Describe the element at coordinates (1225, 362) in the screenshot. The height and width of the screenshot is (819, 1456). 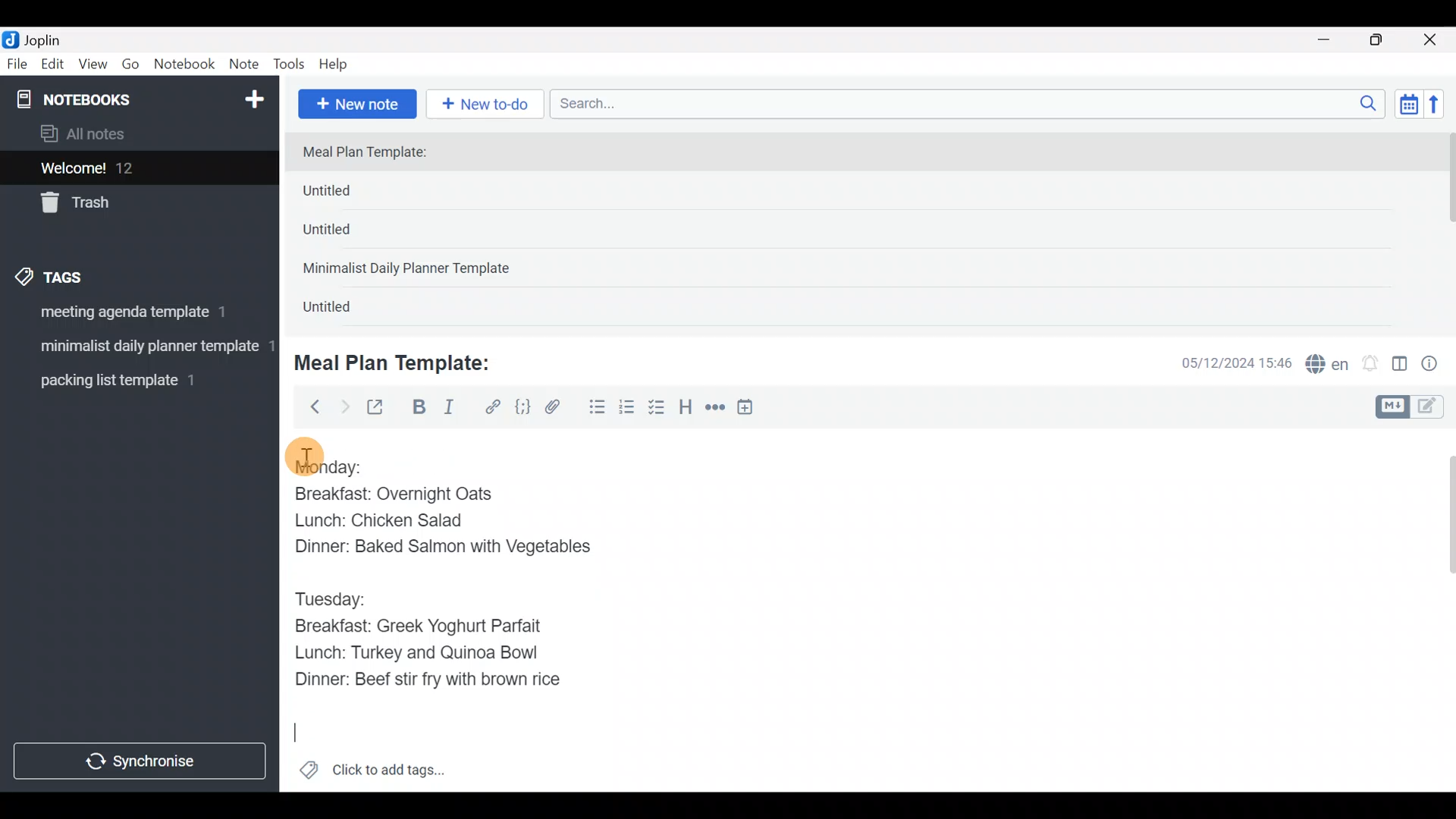
I see `Date & time` at that location.